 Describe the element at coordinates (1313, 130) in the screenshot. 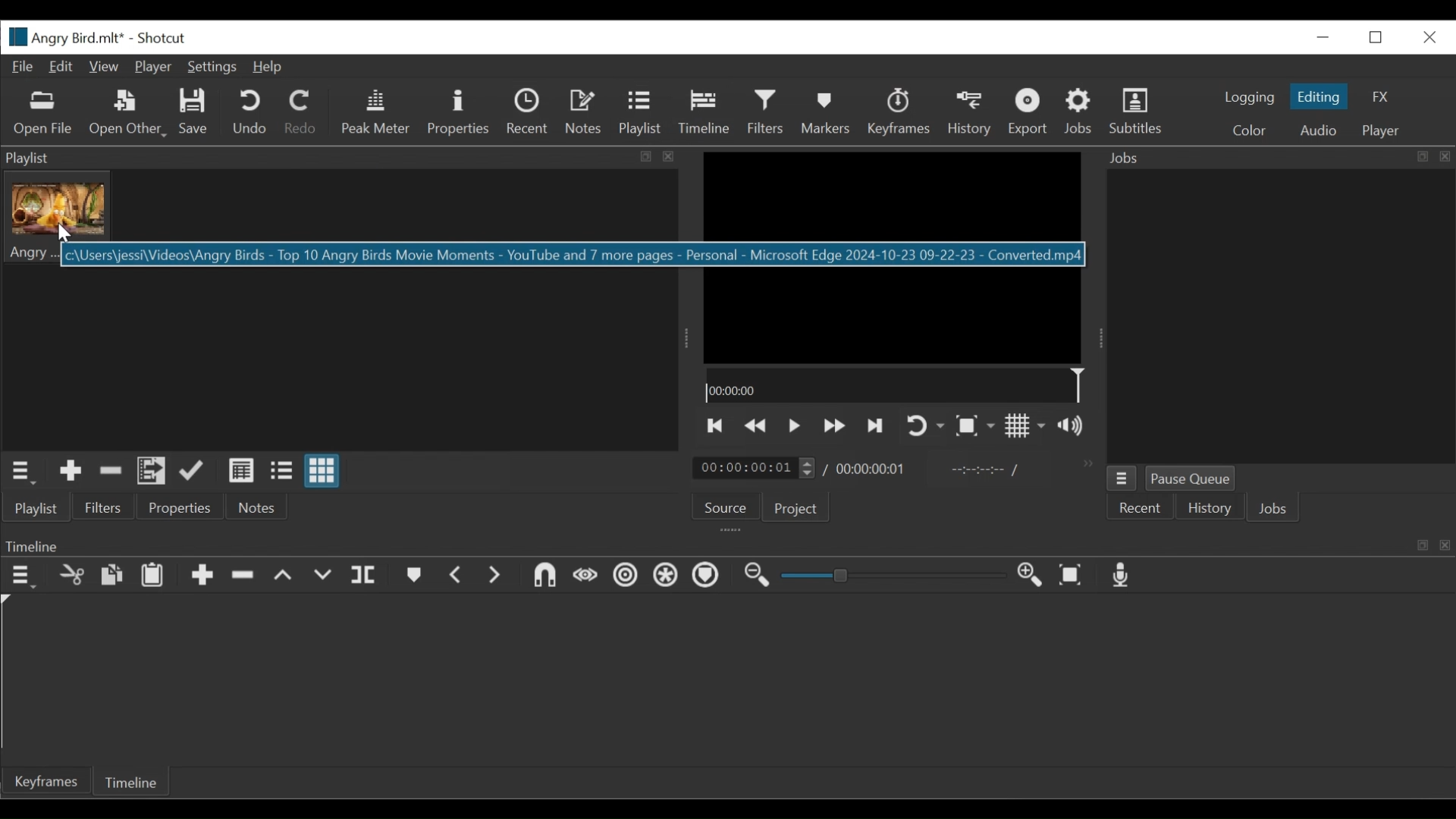

I see `Audio` at that location.